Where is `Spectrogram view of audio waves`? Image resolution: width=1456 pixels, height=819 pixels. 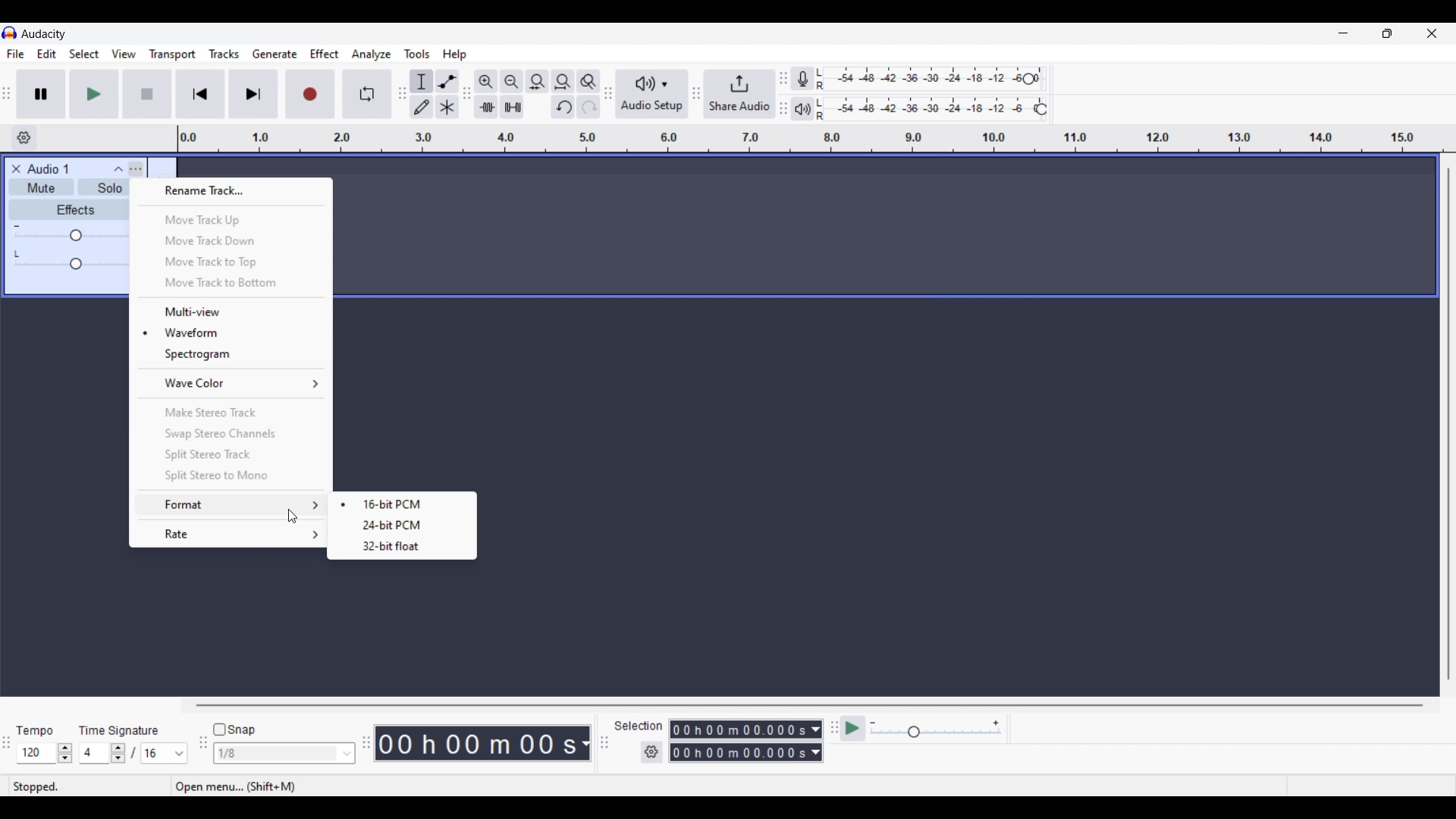 Spectrogram view of audio waves is located at coordinates (231, 354).